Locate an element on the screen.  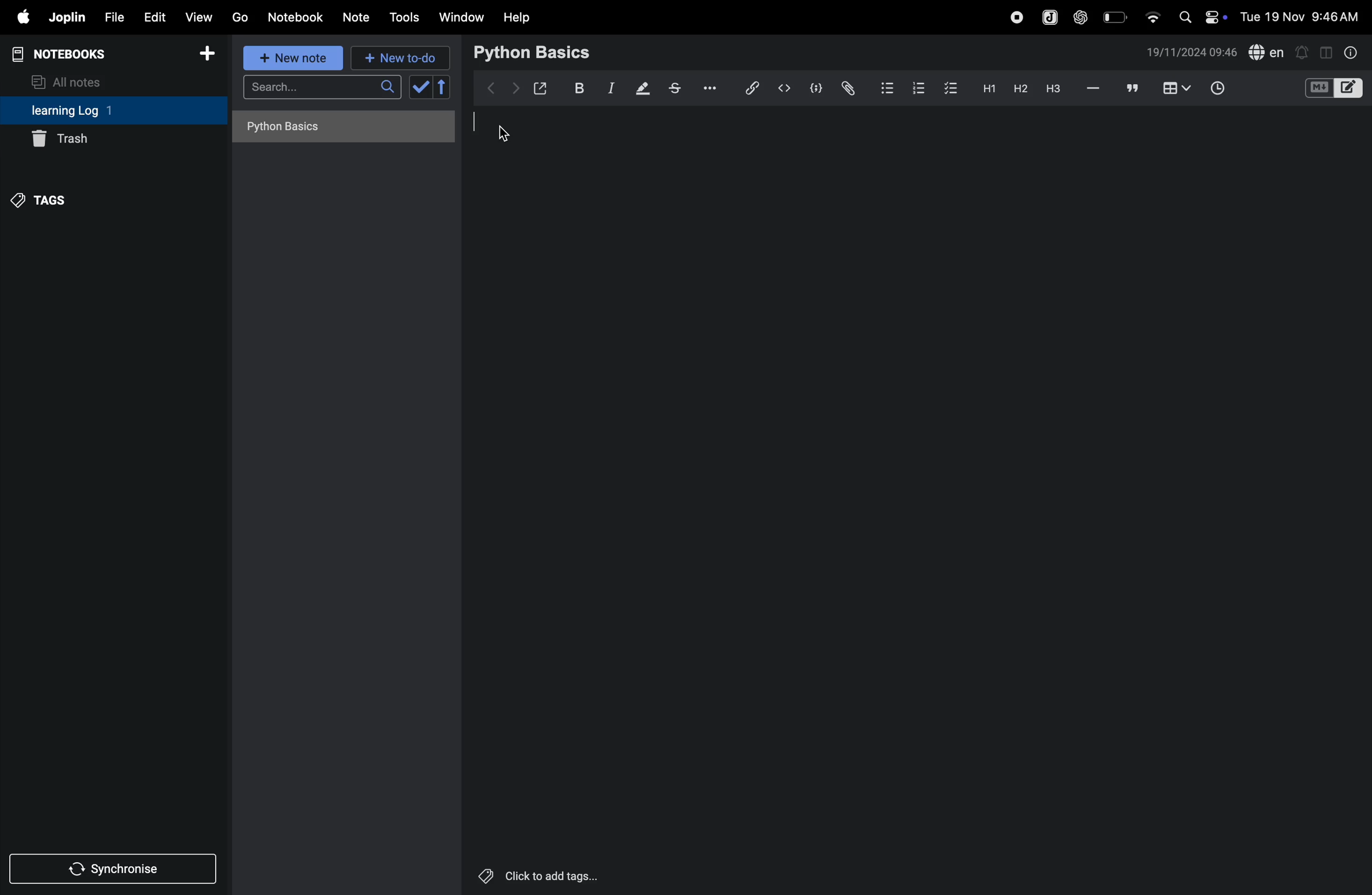
go is located at coordinates (239, 17).